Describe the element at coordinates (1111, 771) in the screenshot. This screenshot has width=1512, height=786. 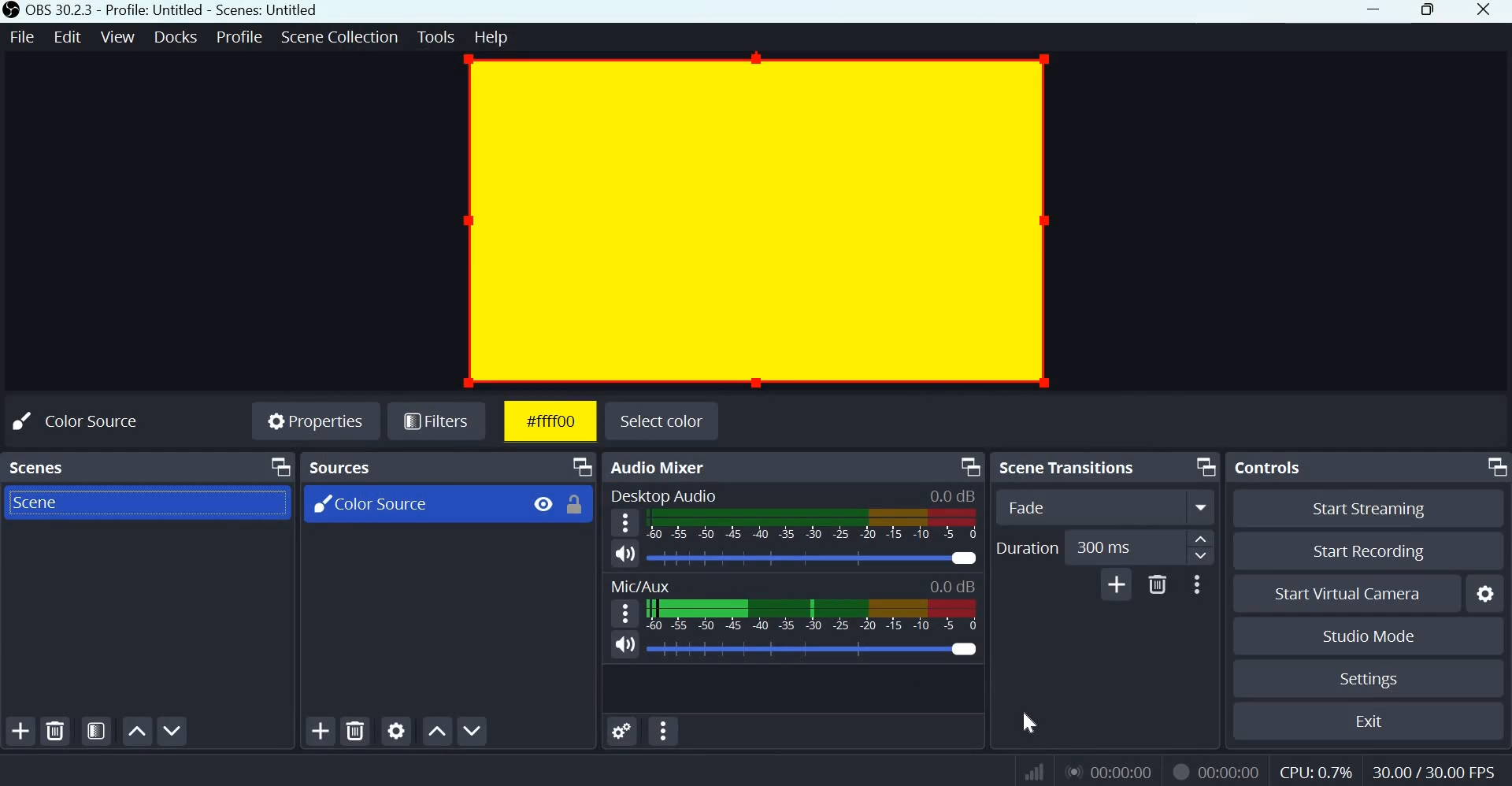
I see `Live Duration Timer` at that location.